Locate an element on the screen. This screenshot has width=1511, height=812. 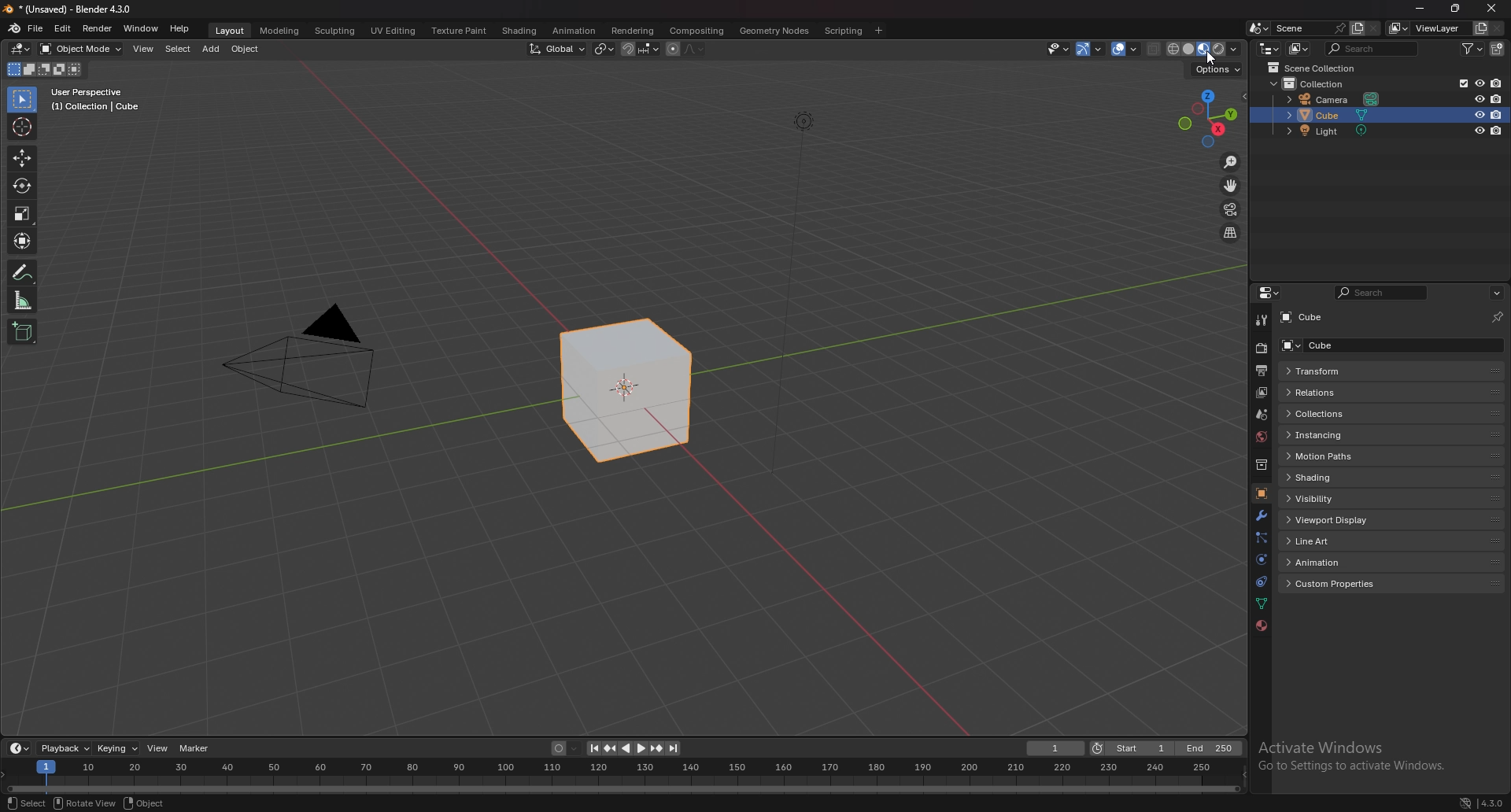
compisiting is located at coordinates (696, 31).